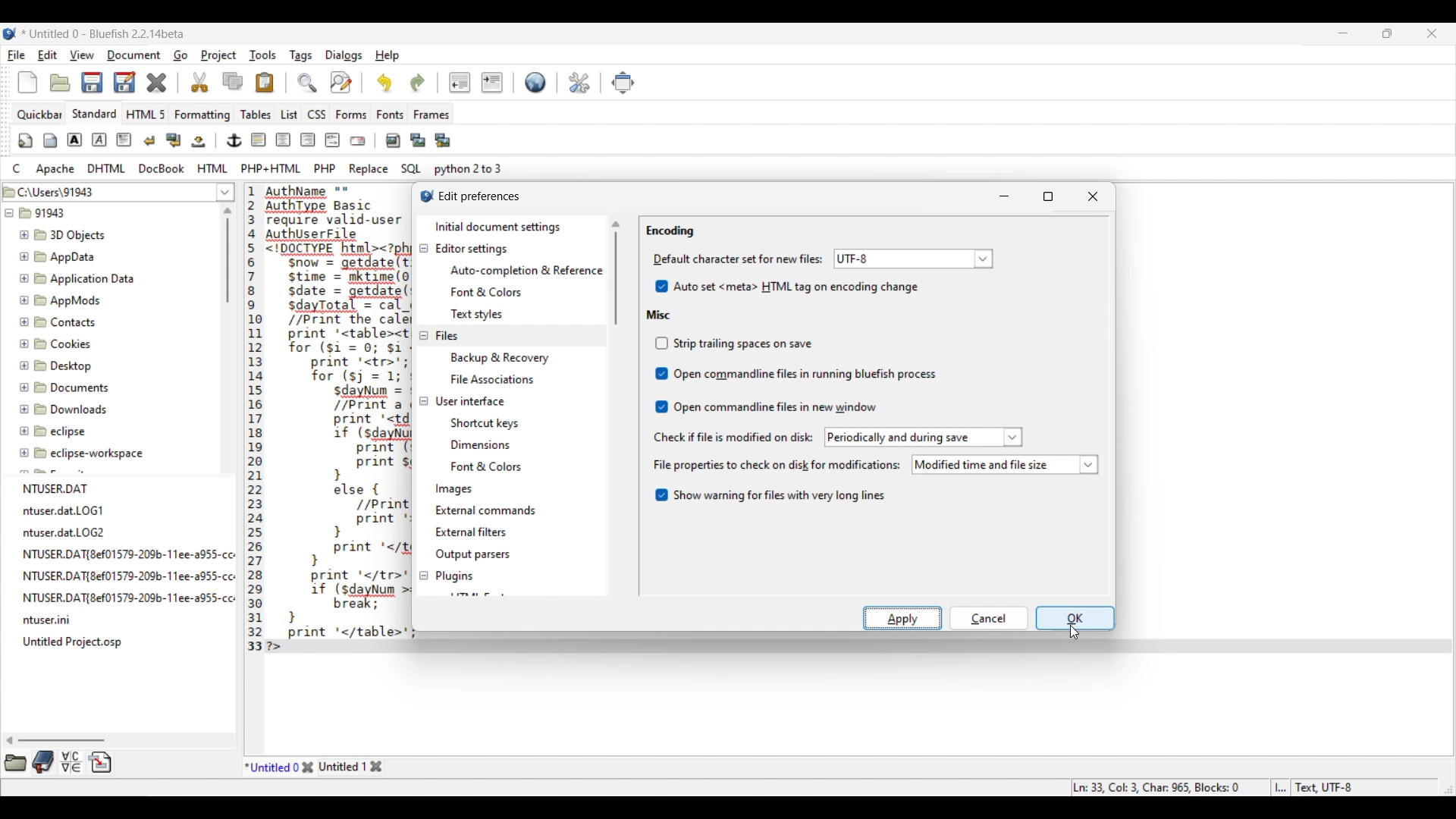 The height and width of the screenshot is (819, 1456). What do you see at coordinates (616, 273) in the screenshot?
I see `Vertical slide bar` at bounding box center [616, 273].